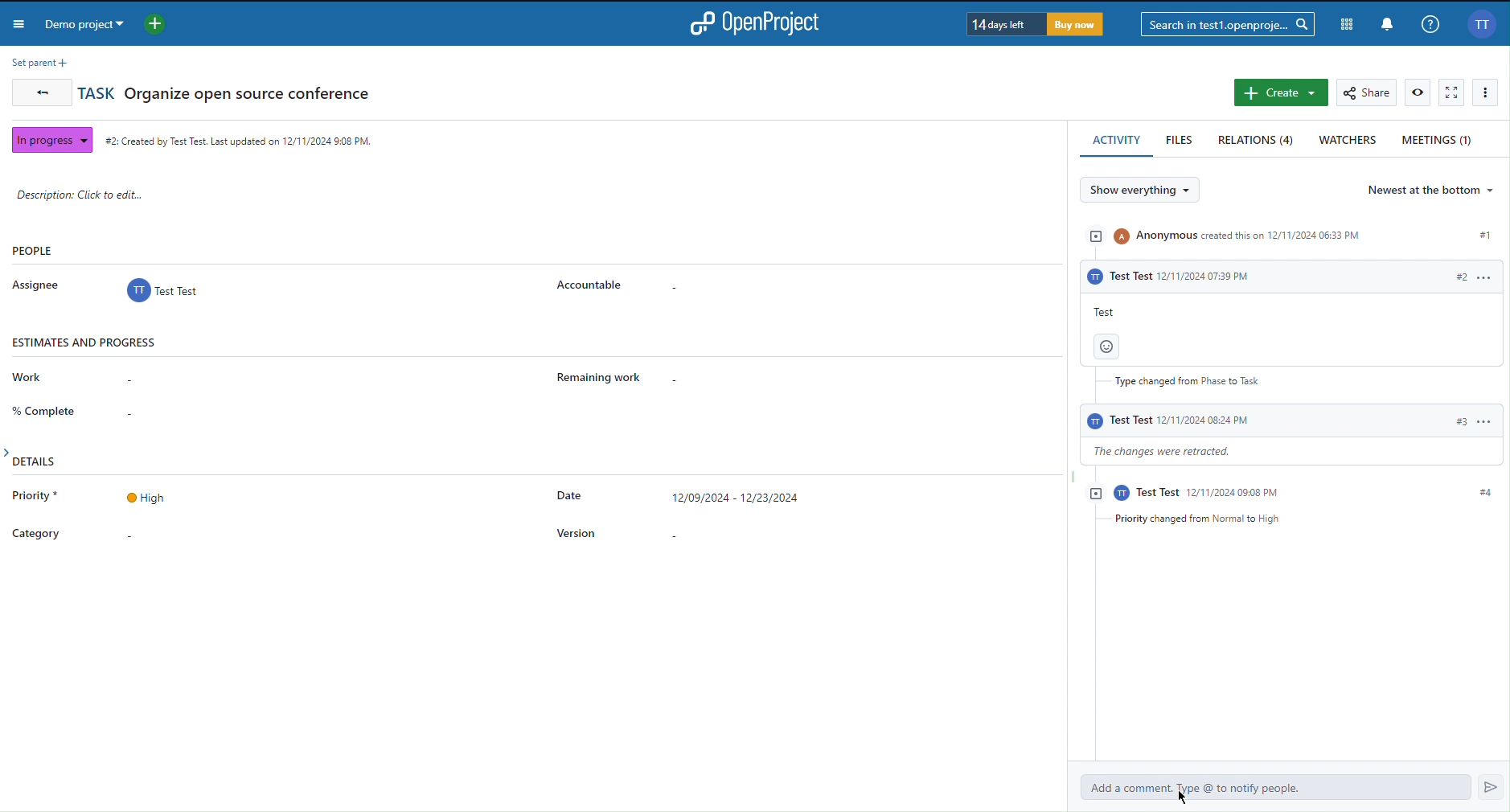 The width and height of the screenshot is (1510, 812). What do you see at coordinates (1118, 141) in the screenshot?
I see `Activity` at bounding box center [1118, 141].